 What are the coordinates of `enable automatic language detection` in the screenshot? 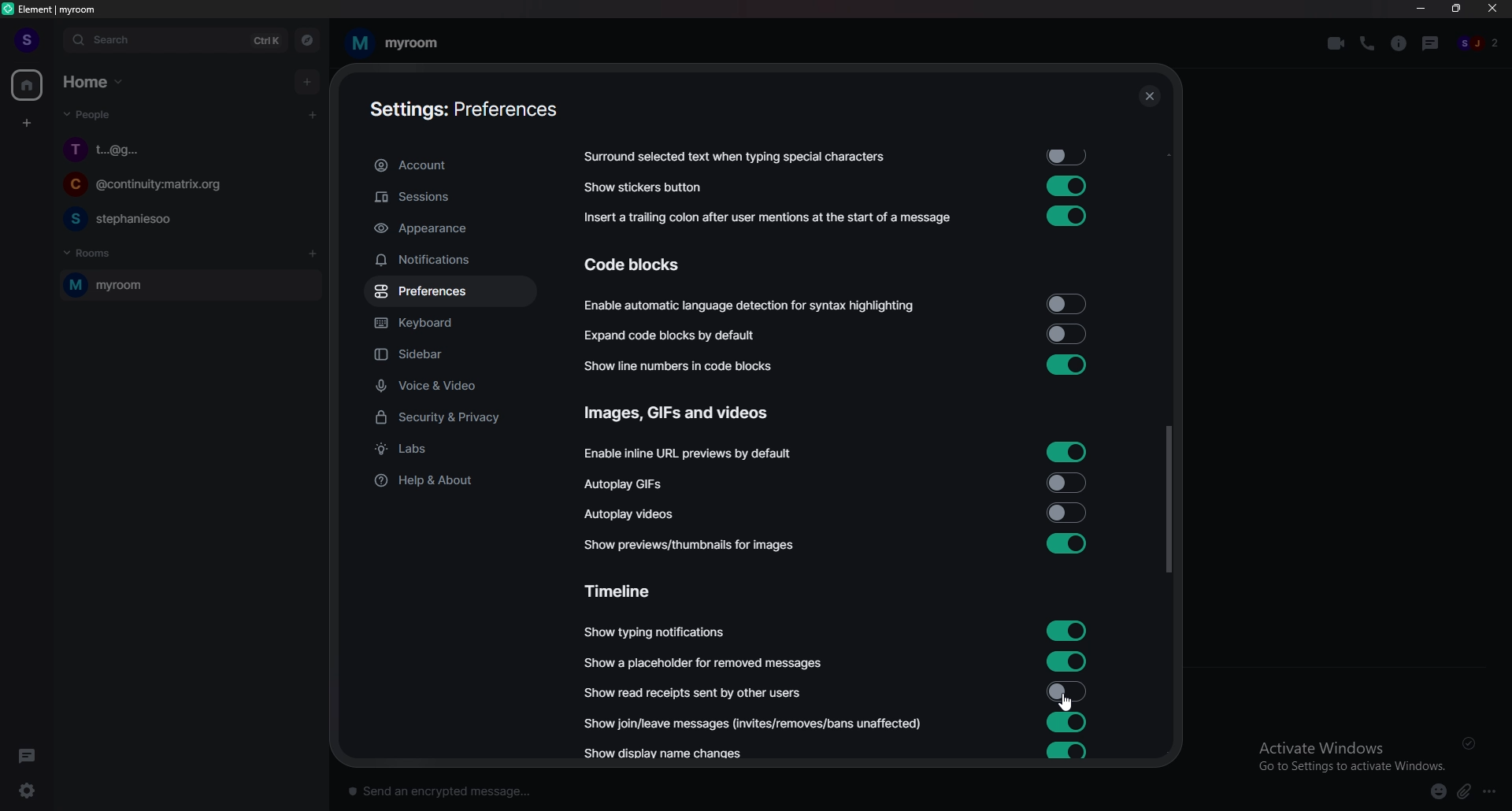 It's located at (751, 307).